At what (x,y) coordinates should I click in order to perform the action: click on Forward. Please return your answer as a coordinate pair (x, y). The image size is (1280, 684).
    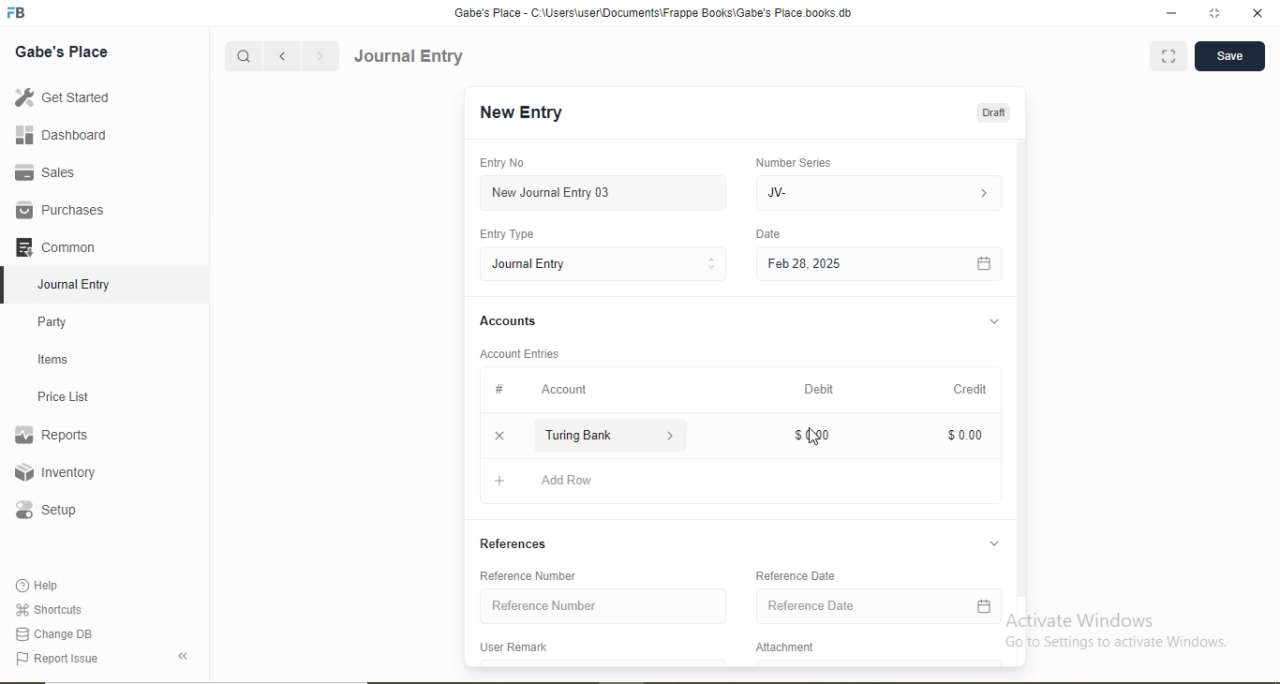
    Looking at the image, I should click on (321, 56).